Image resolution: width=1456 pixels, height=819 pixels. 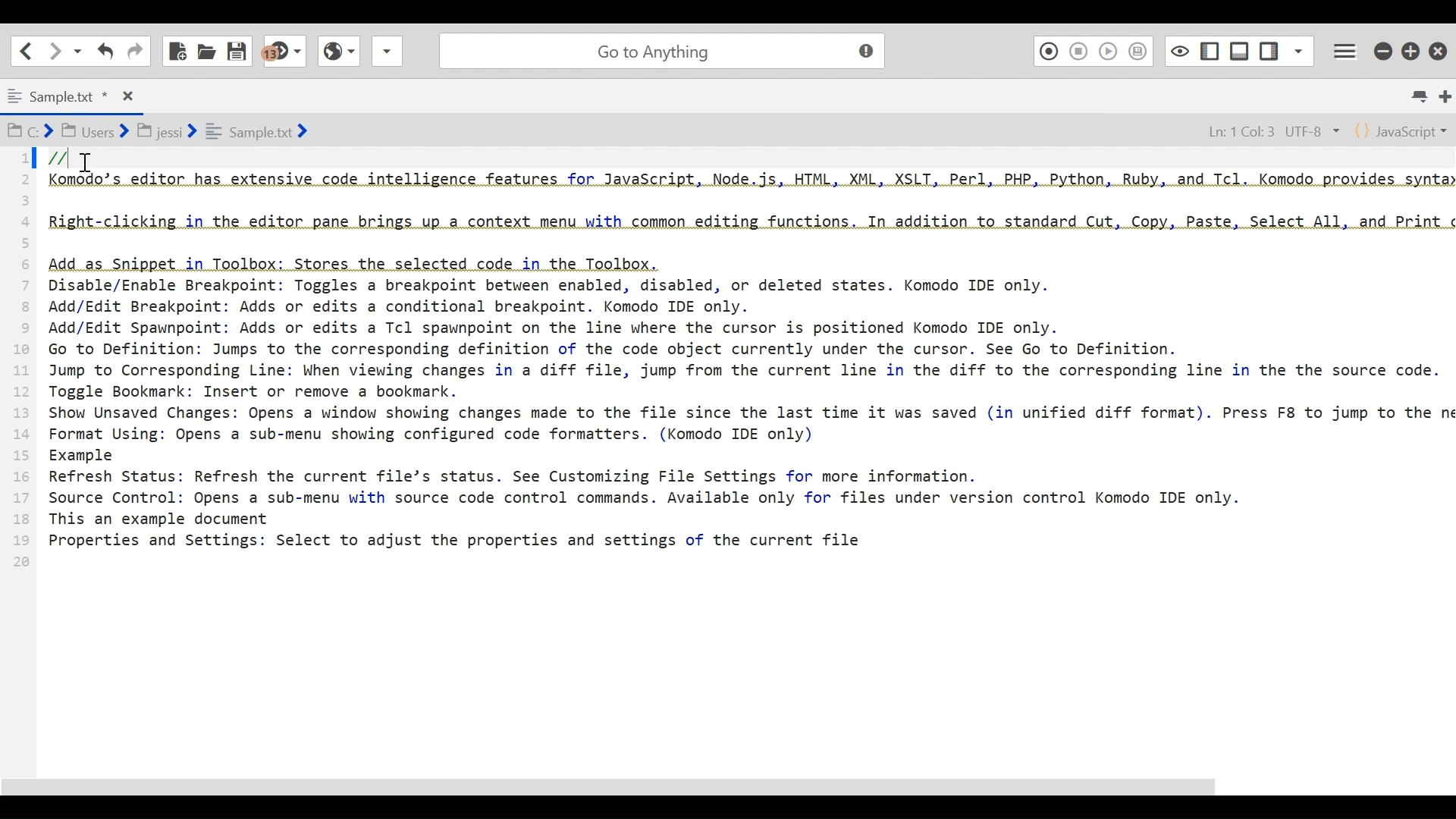 What do you see at coordinates (1209, 49) in the screenshot?
I see `Show/Hide Right Side Panel` at bounding box center [1209, 49].